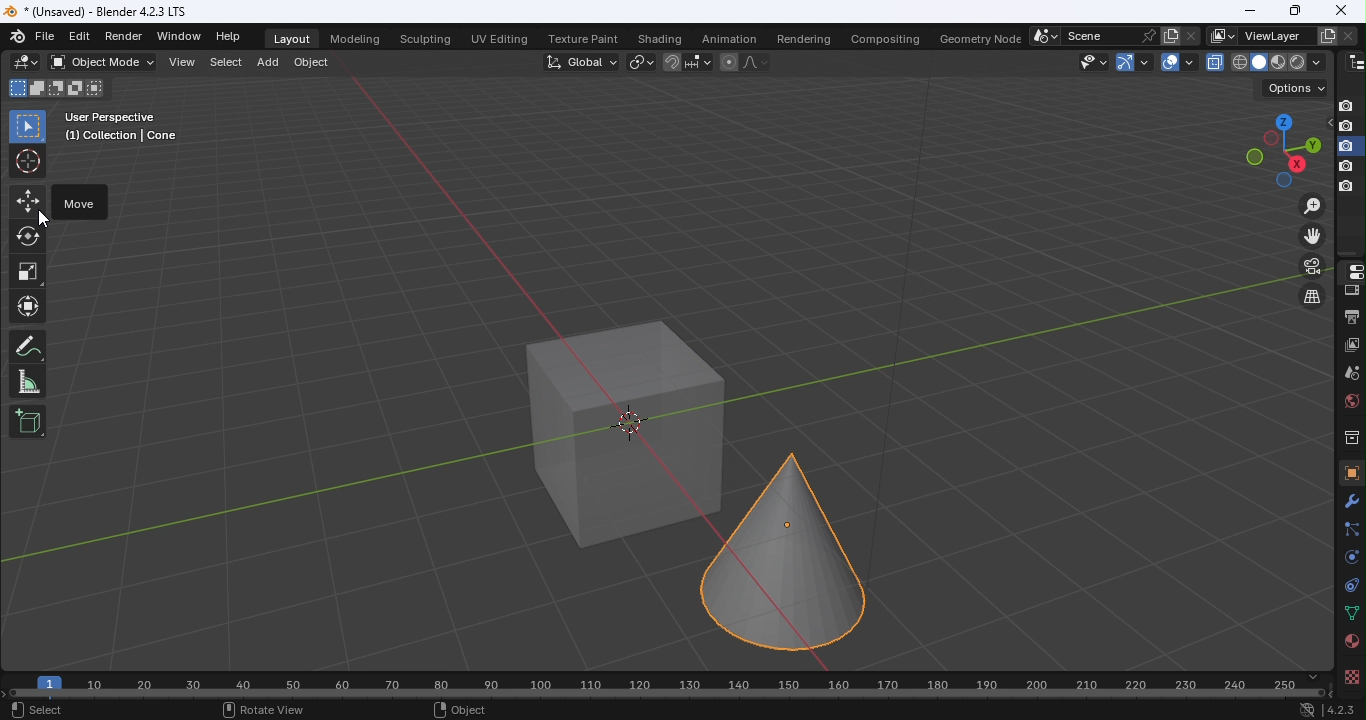 Image resolution: width=1366 pixels, height=720 pixels. What do you see at coordinates (1169, 35) in the screenshot?
I see `New scene` at bounding box center [1169, 35].